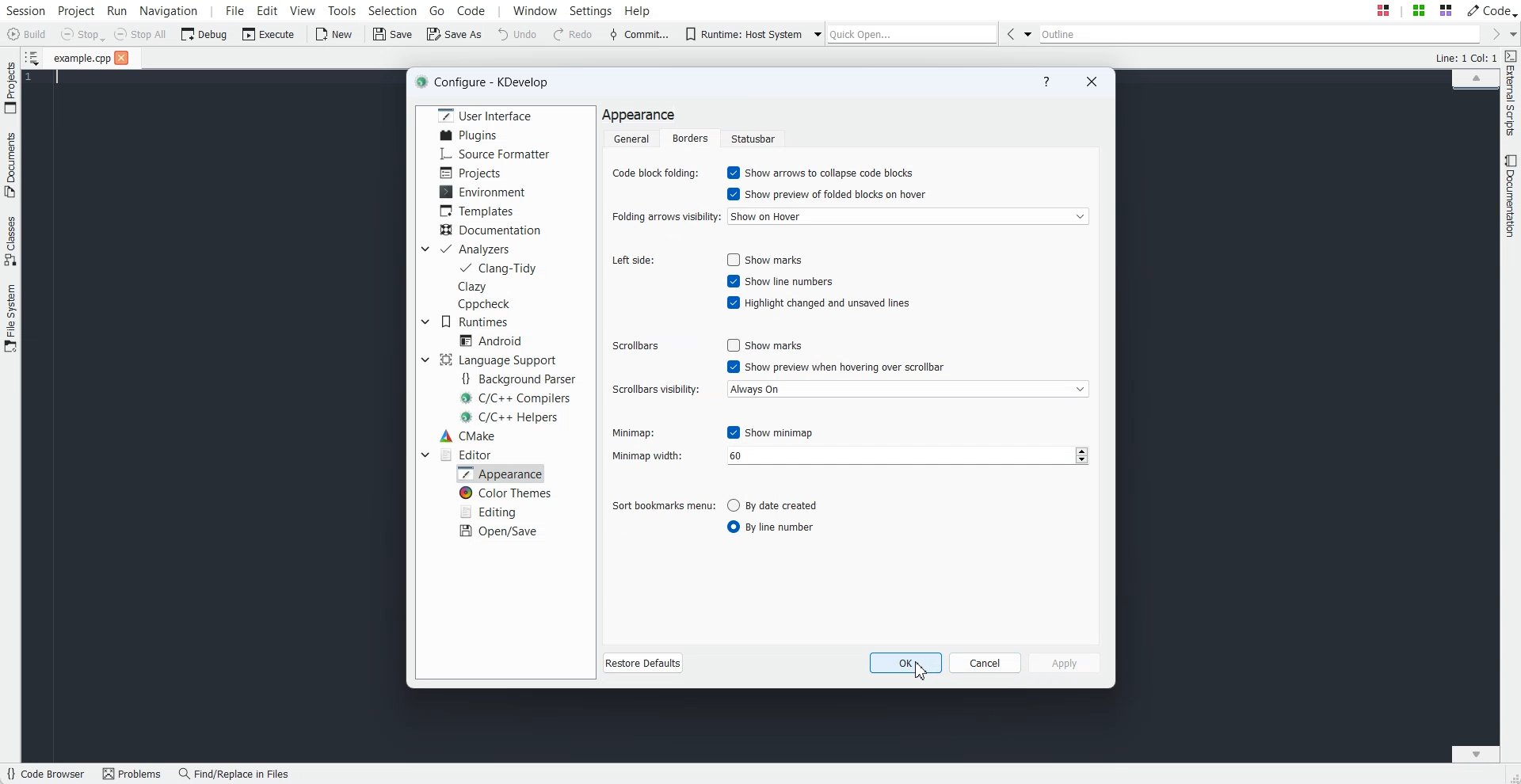 The width and height of the screenshot is (1521, 784). Describe the element at coordinates (837, 367) in the screenshot. I see `Enable show preview when hovering over scrollbar` at that location.